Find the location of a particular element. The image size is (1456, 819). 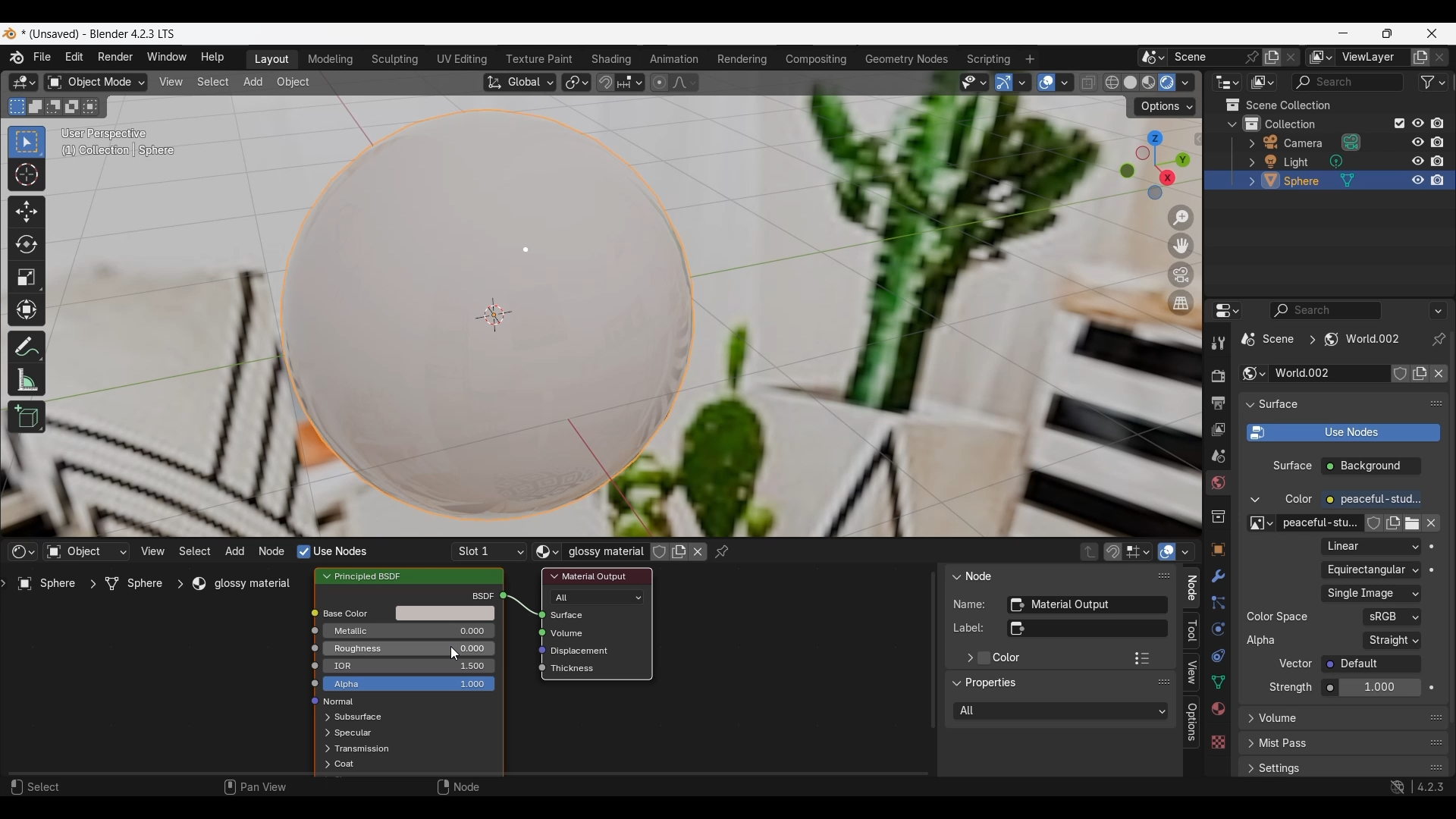

Color space is located at coordinates (1392, 617).